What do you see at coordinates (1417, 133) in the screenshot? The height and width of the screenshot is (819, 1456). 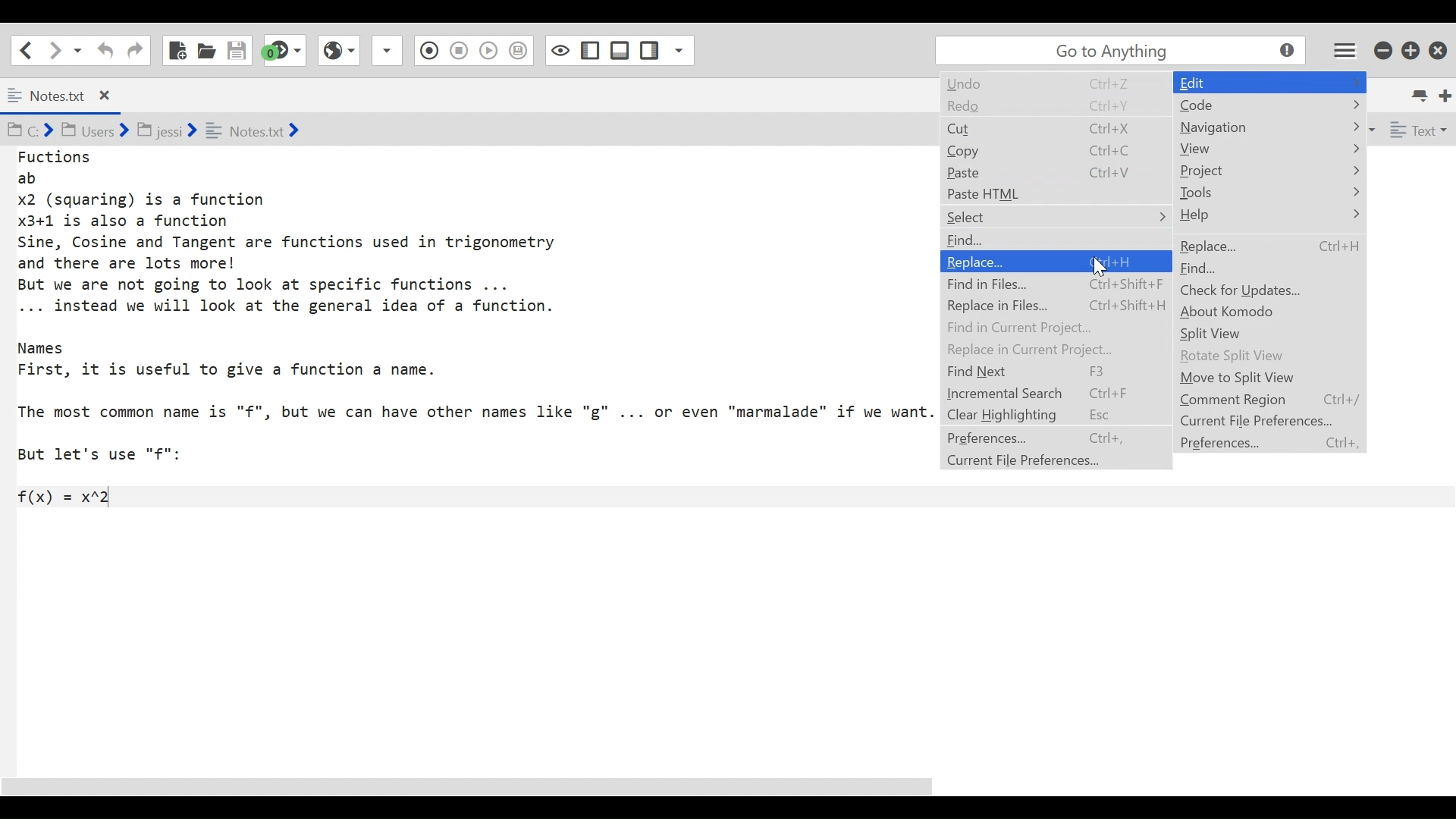 I see `File Type` at bounding box center [1417, 133].